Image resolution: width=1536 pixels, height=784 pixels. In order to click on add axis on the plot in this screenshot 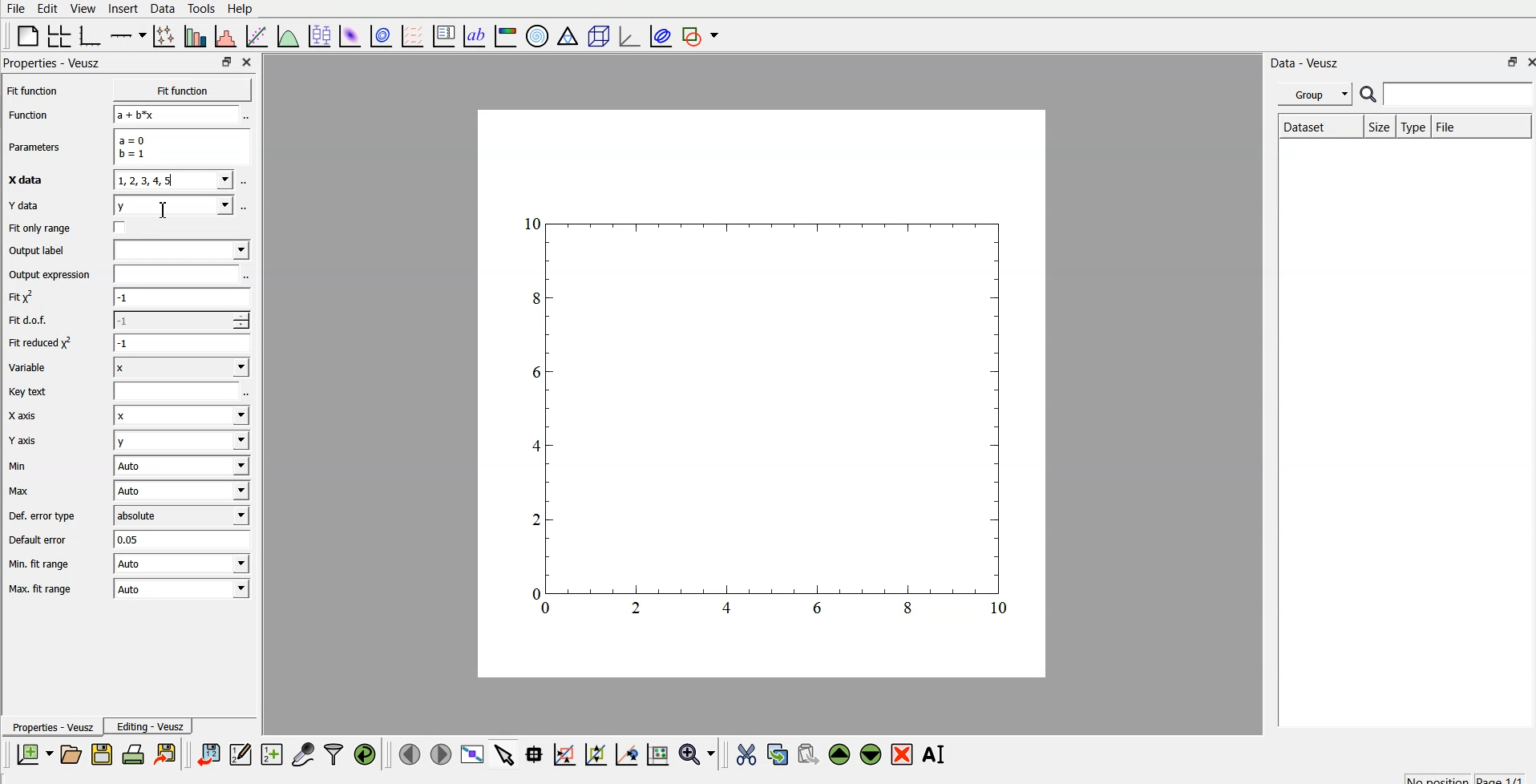, I will do `click(128, 36)`.